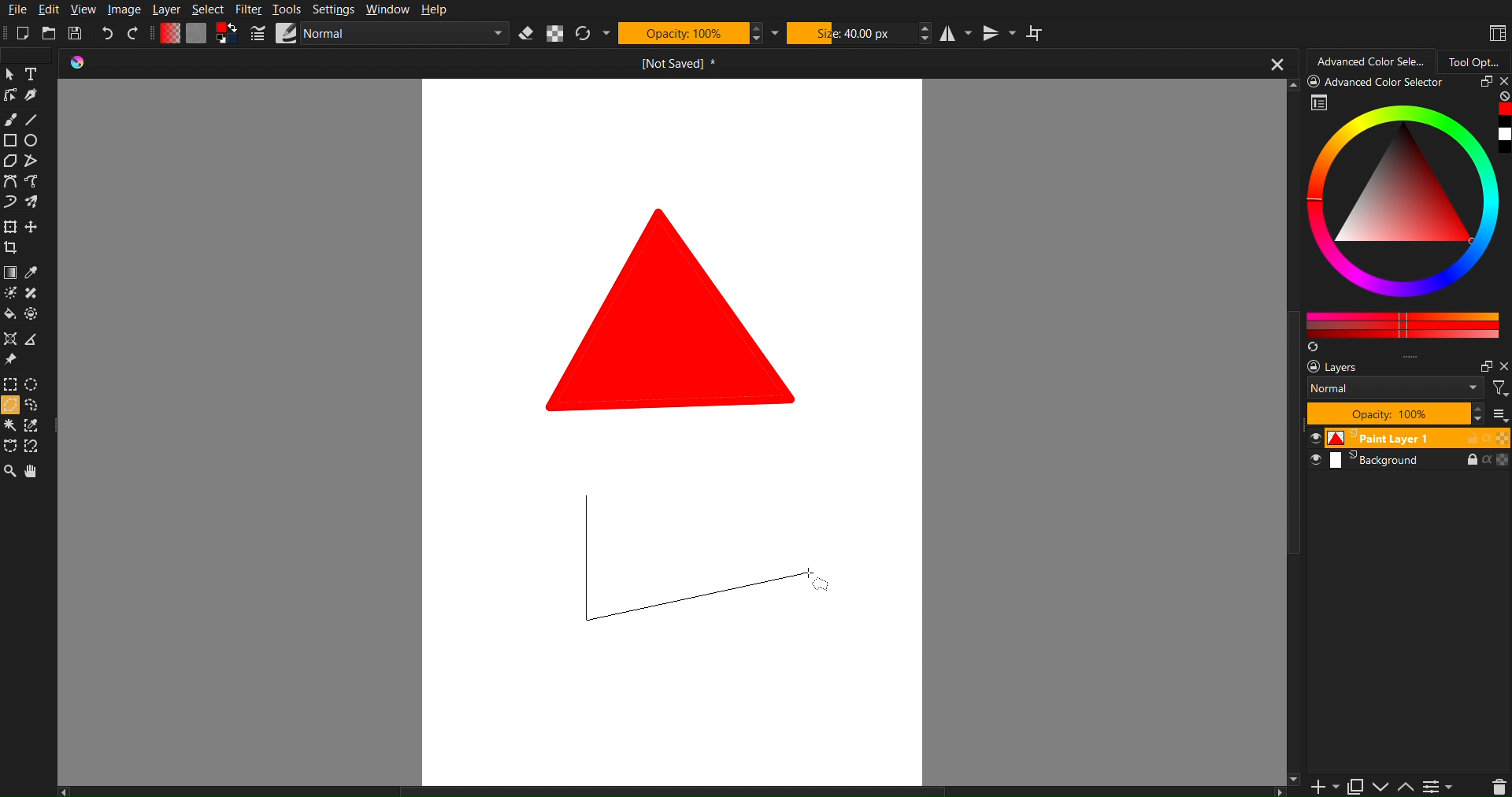 The height and width of the screenshot is (797, 1512). What do you see at coordinates (1406, 788) in the screenshot?
I see `Up ` at bounding box center [1406, 788].